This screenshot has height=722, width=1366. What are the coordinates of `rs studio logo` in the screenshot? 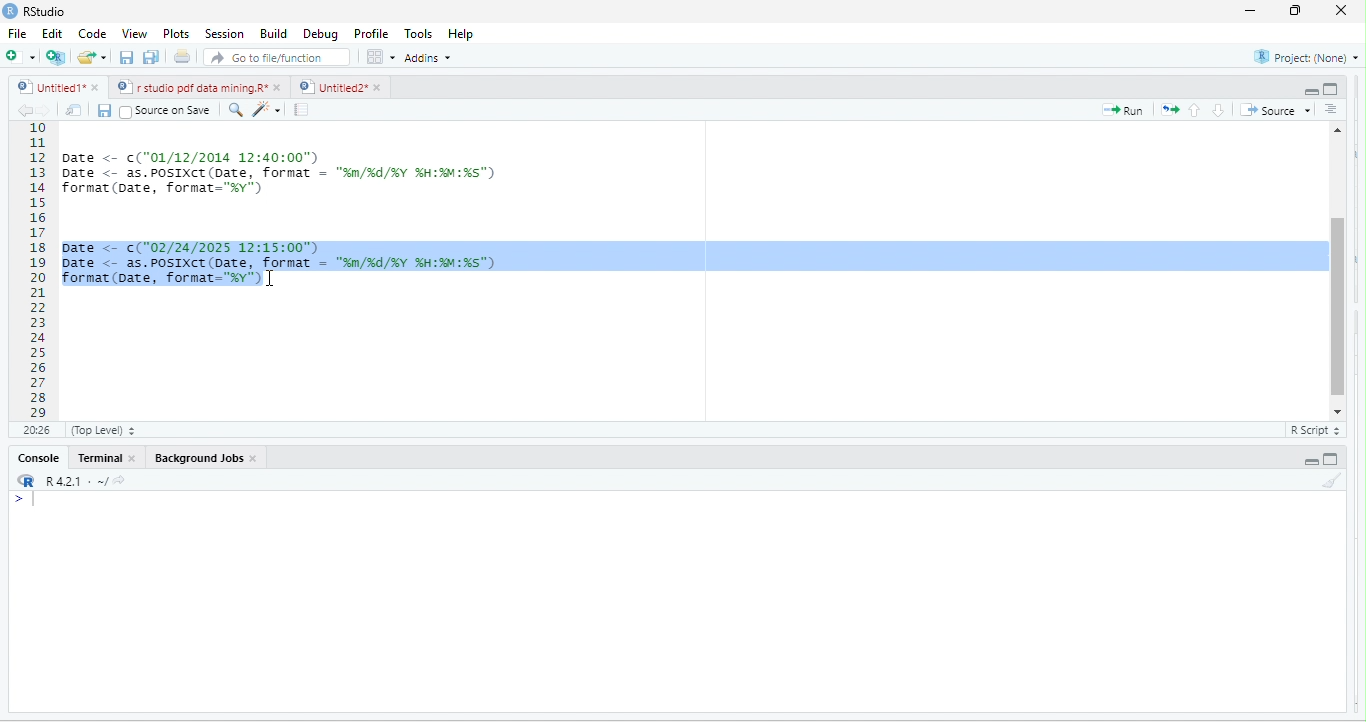 It's located at (24, 481).